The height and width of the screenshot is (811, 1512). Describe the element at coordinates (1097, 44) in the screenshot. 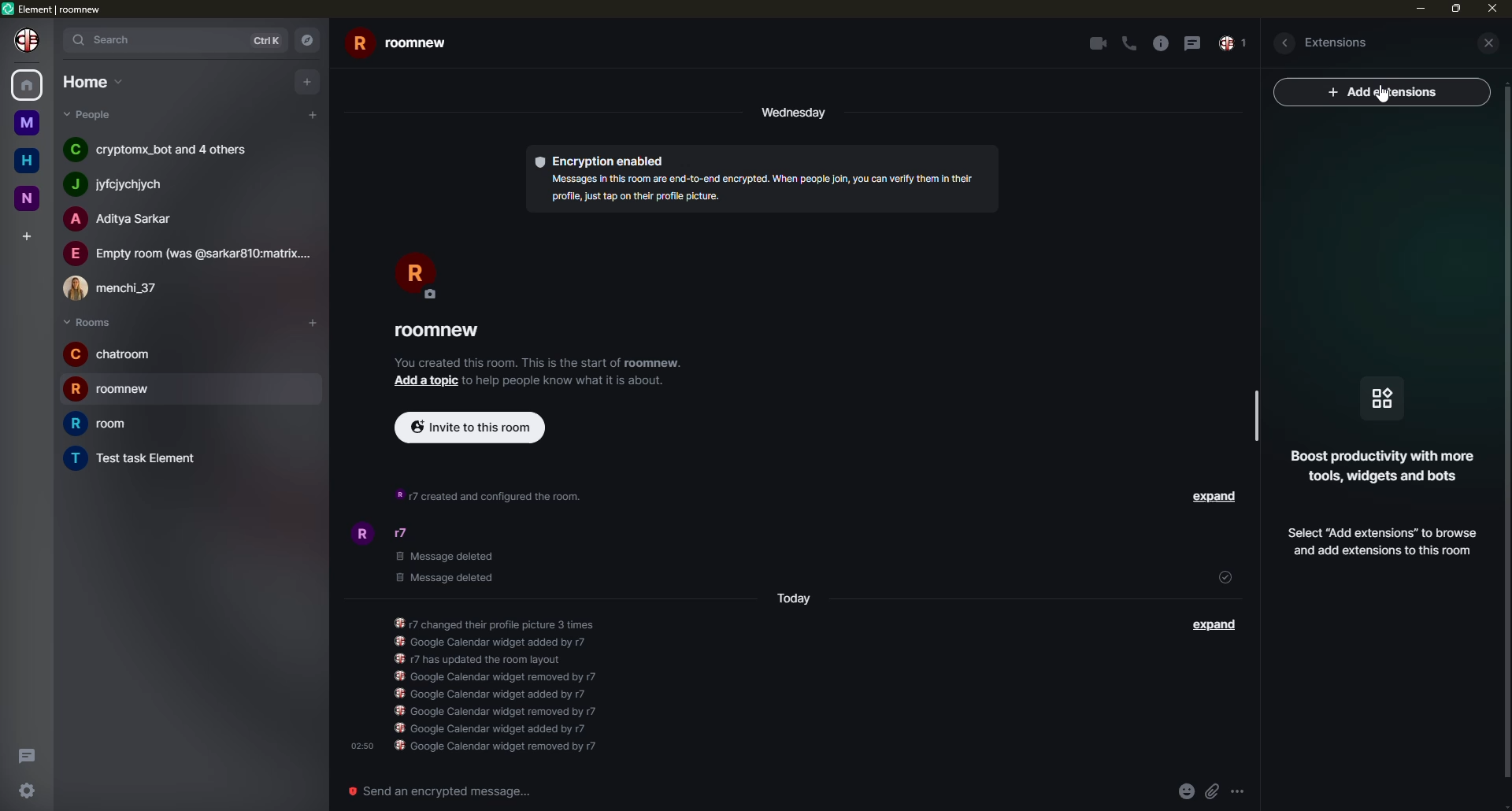

I see `video` at that location.